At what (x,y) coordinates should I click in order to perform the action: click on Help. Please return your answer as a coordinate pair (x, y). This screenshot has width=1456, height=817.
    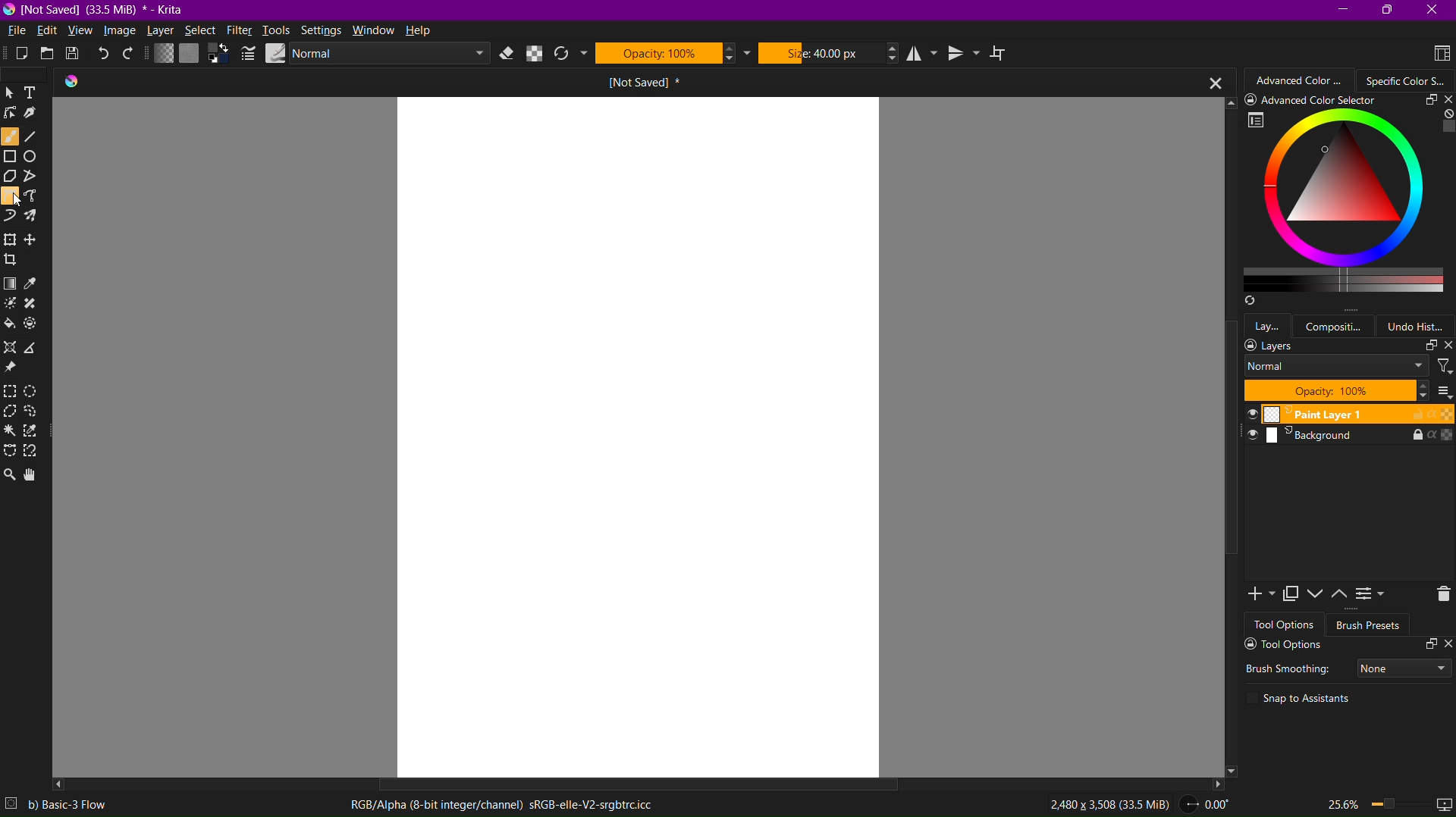
    Looking at the image, I should click on (423, 32).